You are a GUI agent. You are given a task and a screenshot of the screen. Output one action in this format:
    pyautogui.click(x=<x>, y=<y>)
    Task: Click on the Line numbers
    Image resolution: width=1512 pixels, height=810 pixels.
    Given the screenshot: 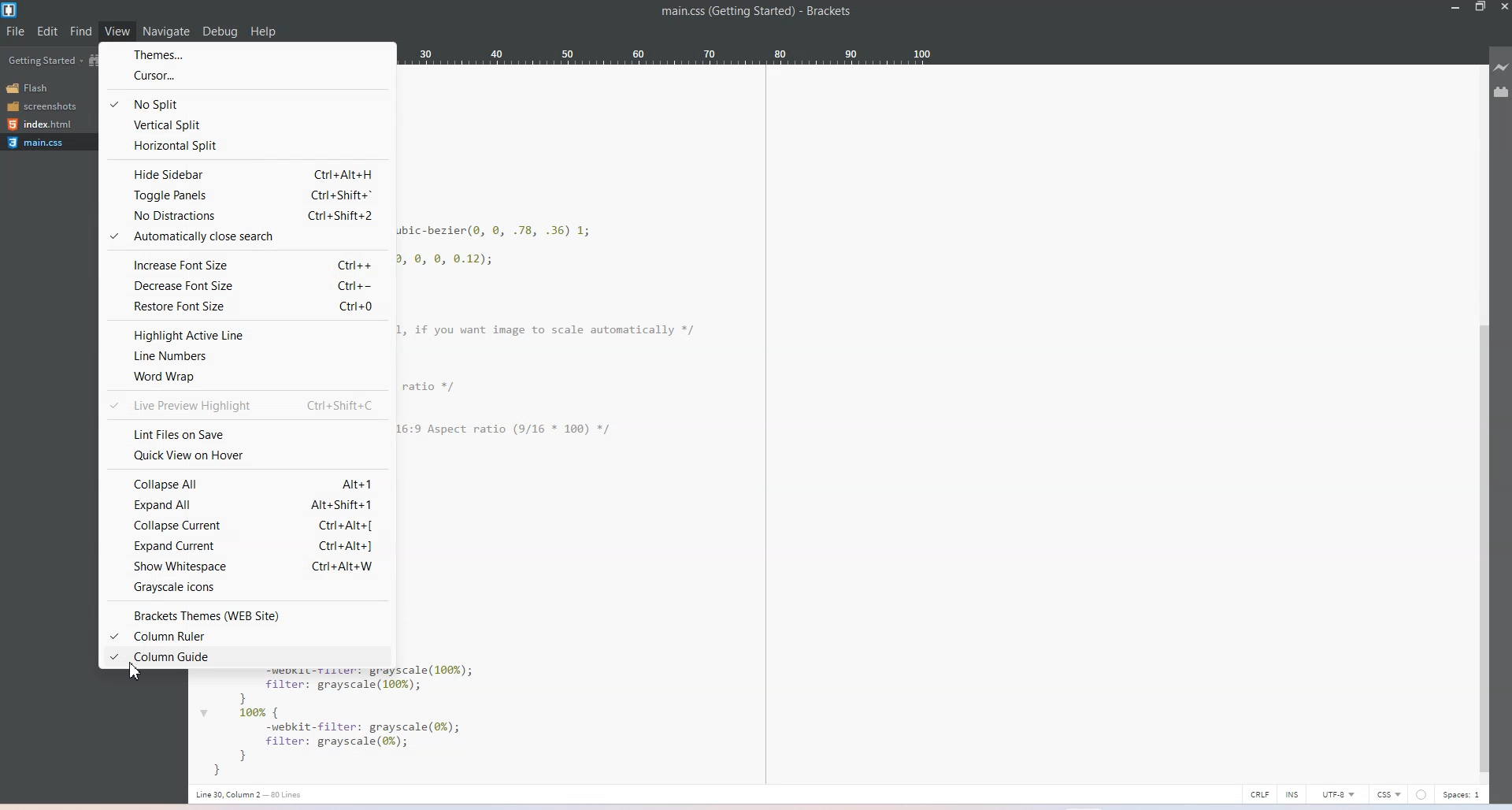 What is the action you would take?
    pyautogui.click(x=245, y=356)
    